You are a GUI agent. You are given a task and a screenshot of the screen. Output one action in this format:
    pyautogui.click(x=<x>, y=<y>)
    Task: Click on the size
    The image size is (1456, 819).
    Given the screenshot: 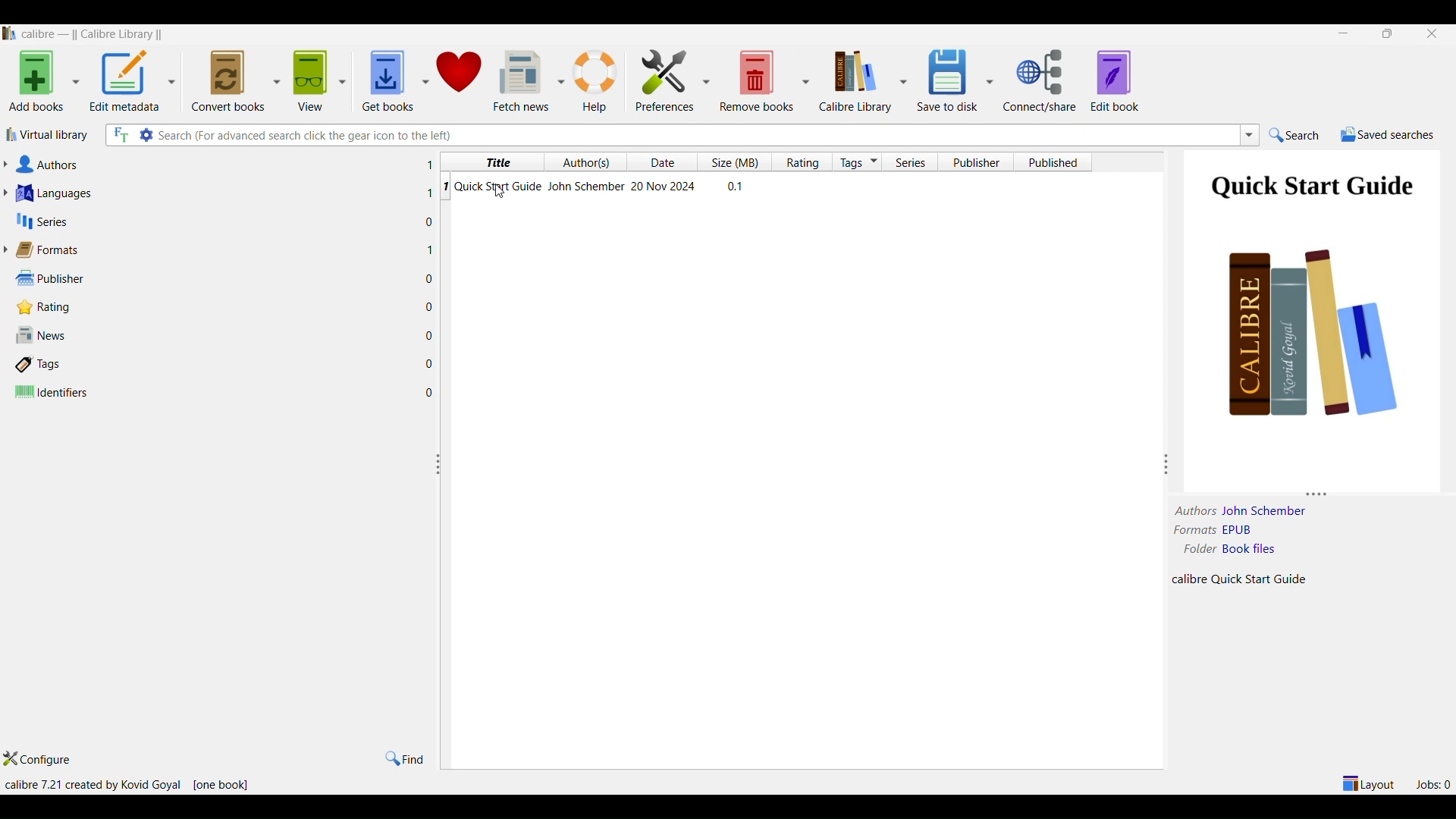 What is the action you would take?
    pyautogui.click(x=739, y=162)
    